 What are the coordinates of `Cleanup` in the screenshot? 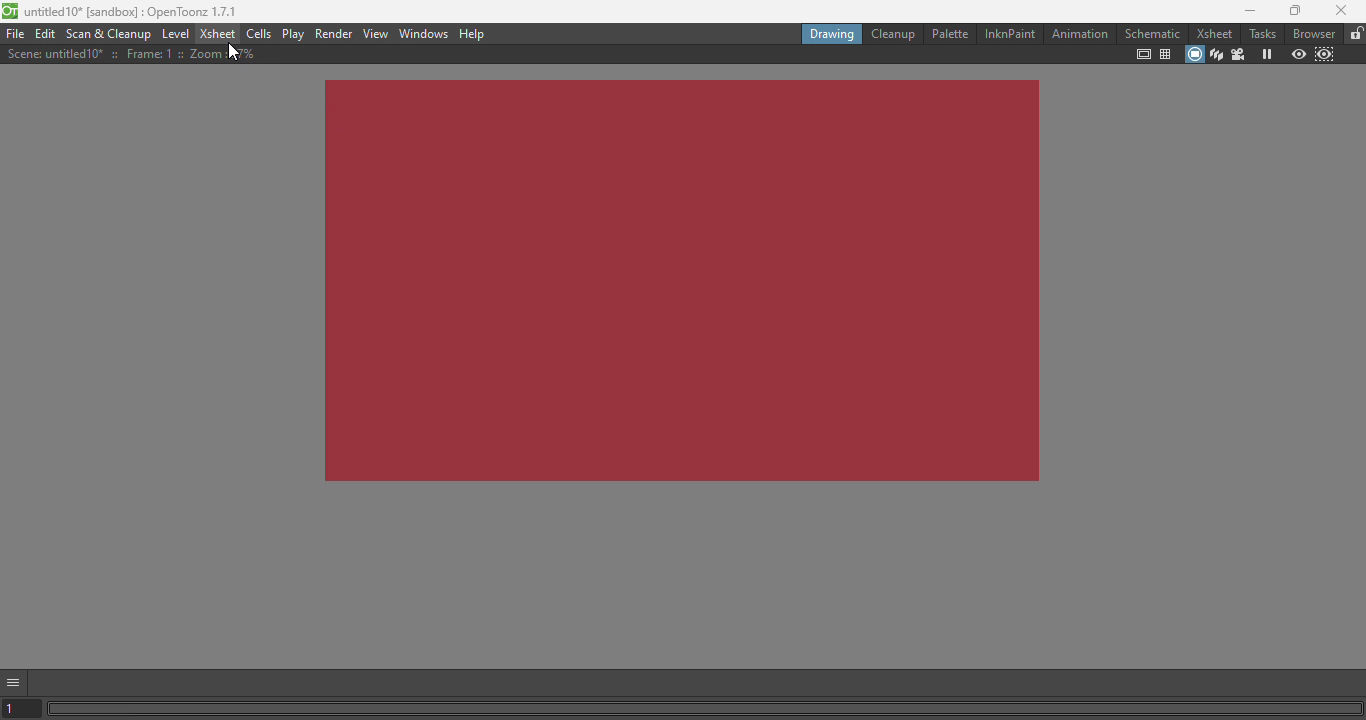 It's located at (891, 34).